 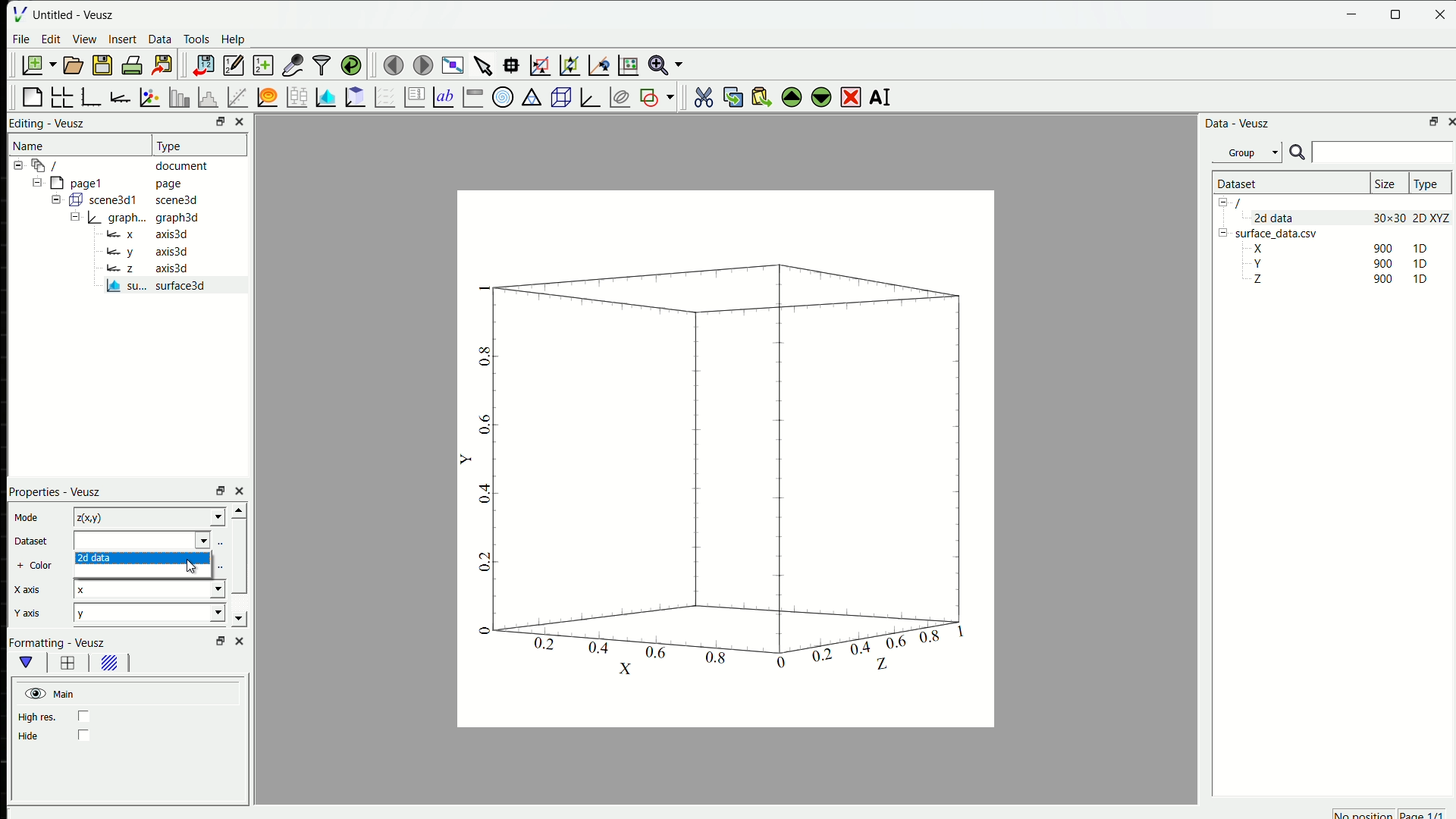 I want to click on Properties - Veusz, so click(x=57, y=493).